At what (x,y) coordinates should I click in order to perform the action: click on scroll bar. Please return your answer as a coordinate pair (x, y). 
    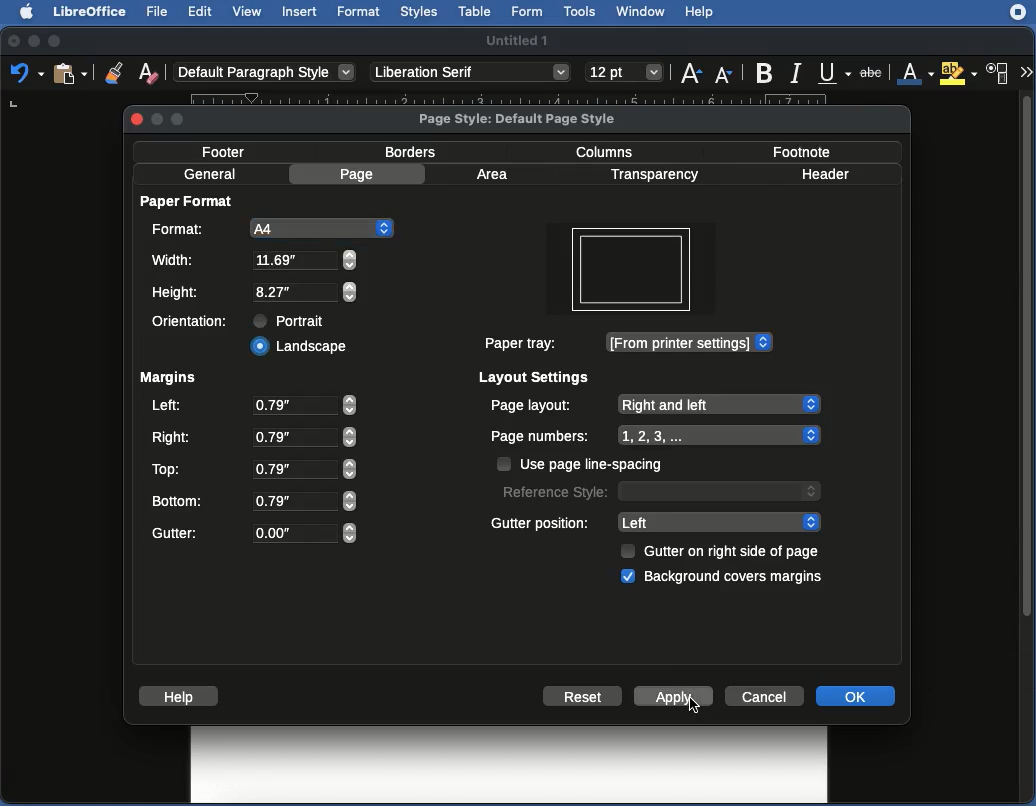
    Looking at the image, I should click on (1027, 445).